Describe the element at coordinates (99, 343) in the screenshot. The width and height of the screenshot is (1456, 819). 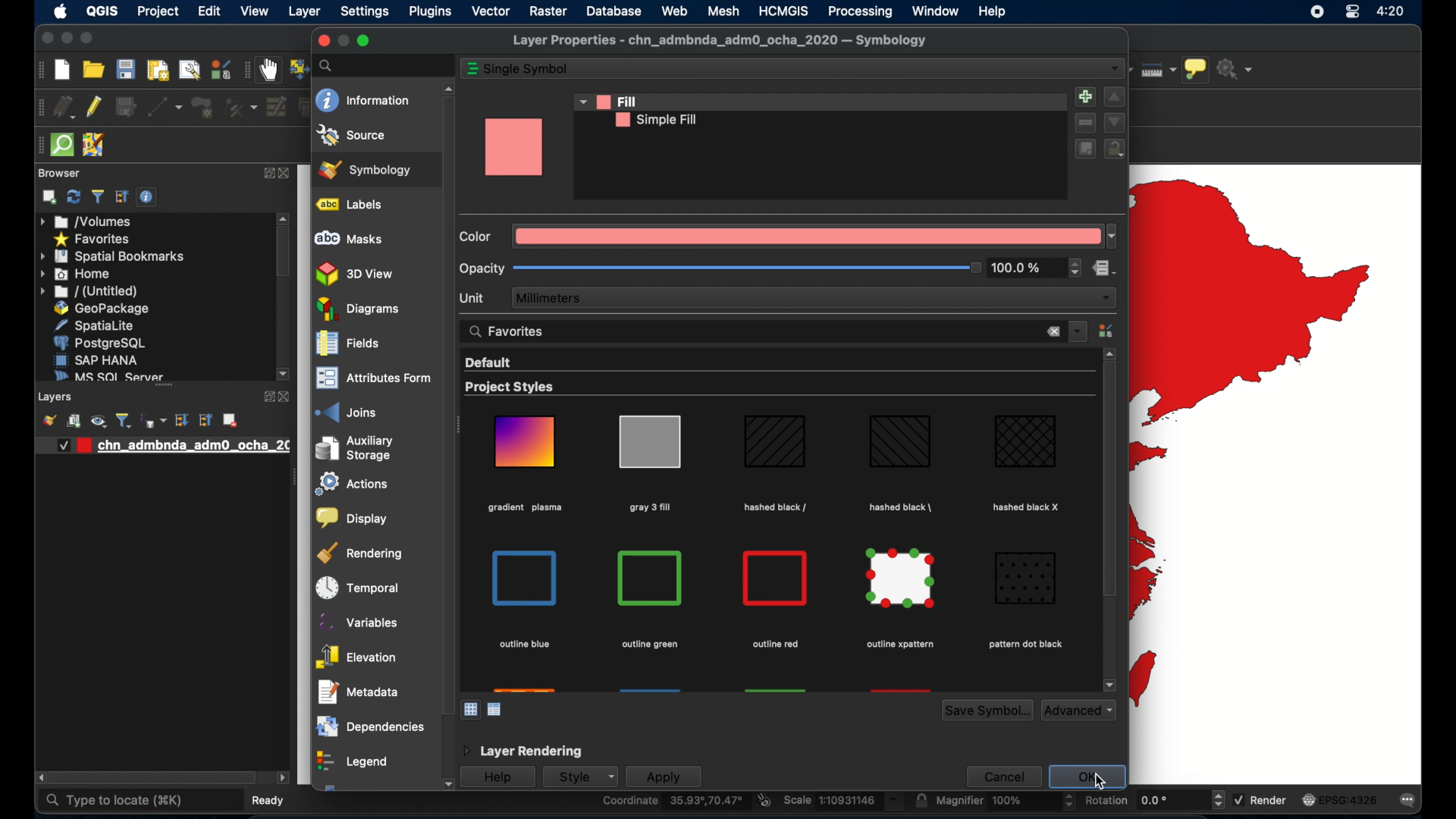
I see `postgre sql` at that location.